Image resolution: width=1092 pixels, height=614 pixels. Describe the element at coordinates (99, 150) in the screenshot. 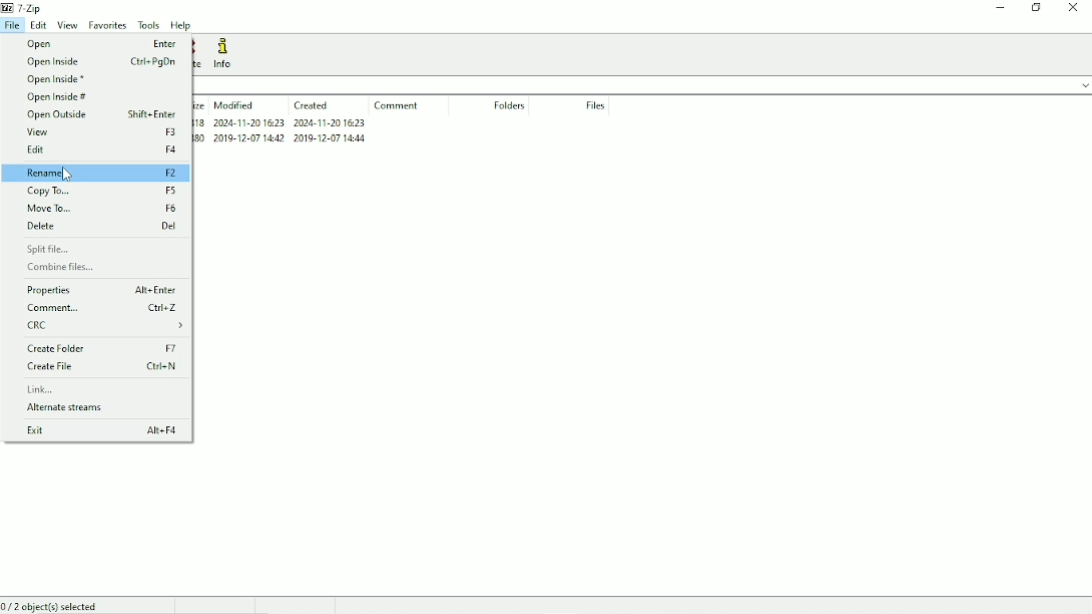

I see `Edit` at that location.